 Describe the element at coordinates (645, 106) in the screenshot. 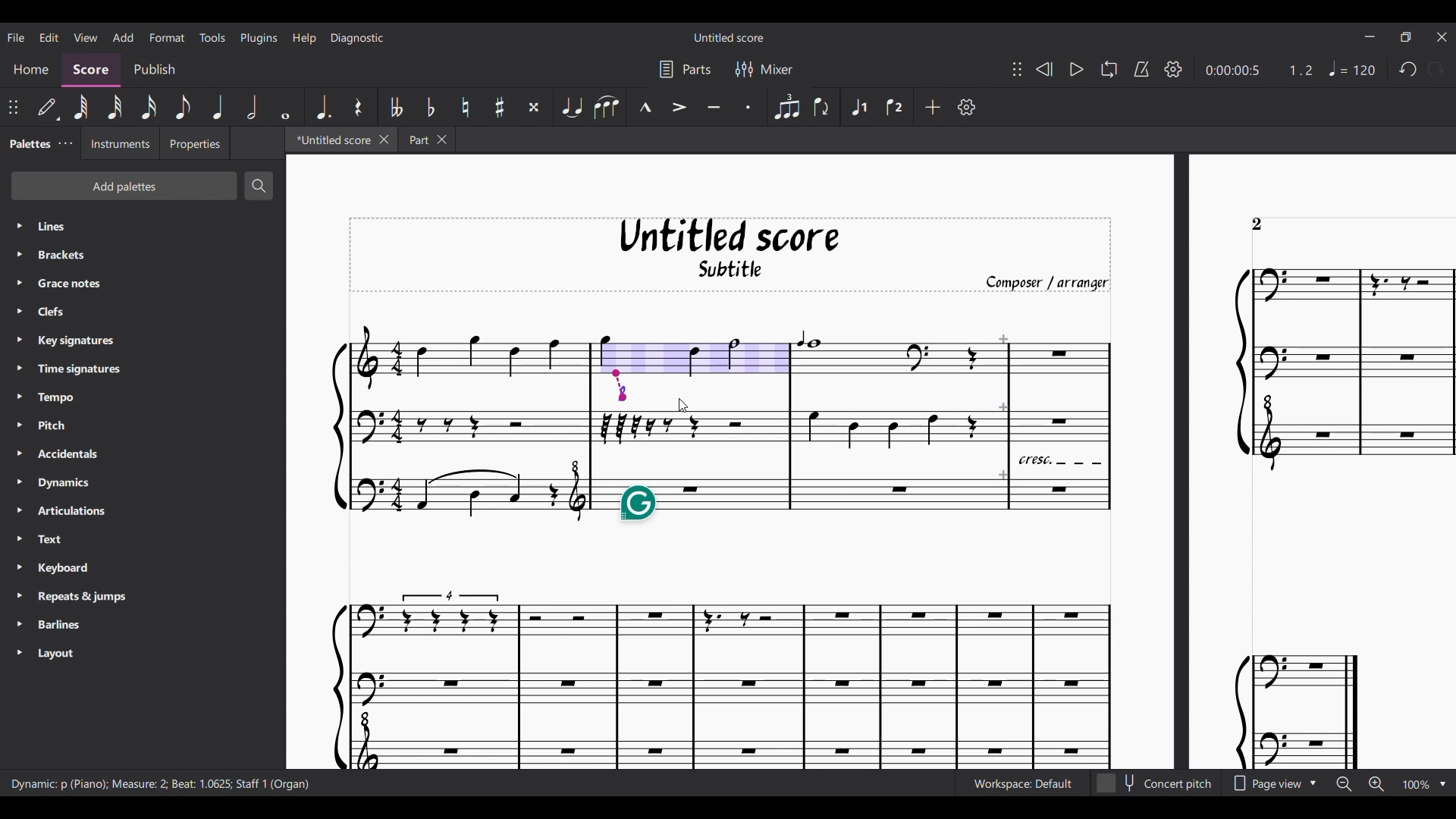

I see `Marcato` at that location.